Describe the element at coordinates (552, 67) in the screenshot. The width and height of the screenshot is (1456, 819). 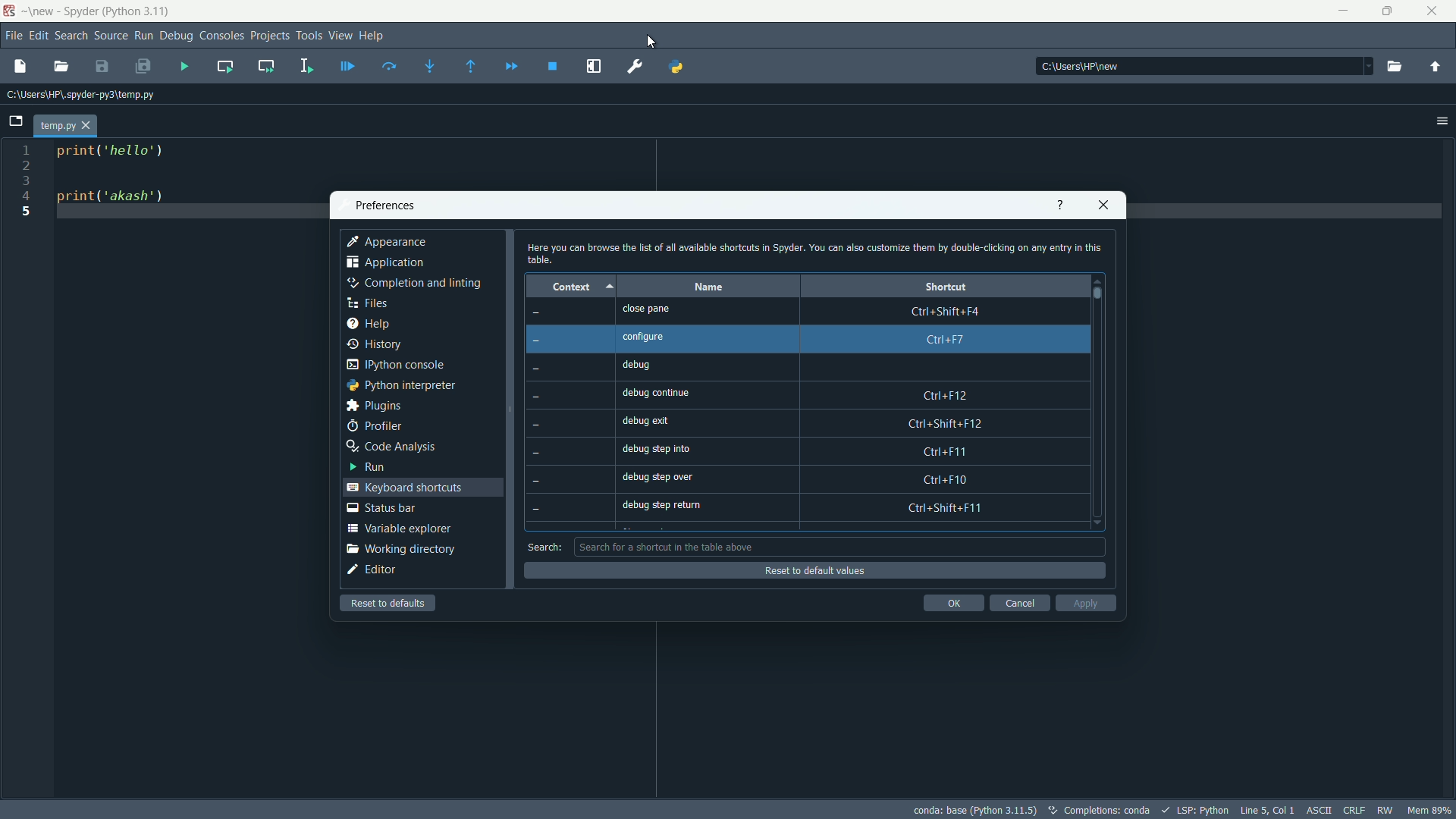
I see `stop debugging` at that location.